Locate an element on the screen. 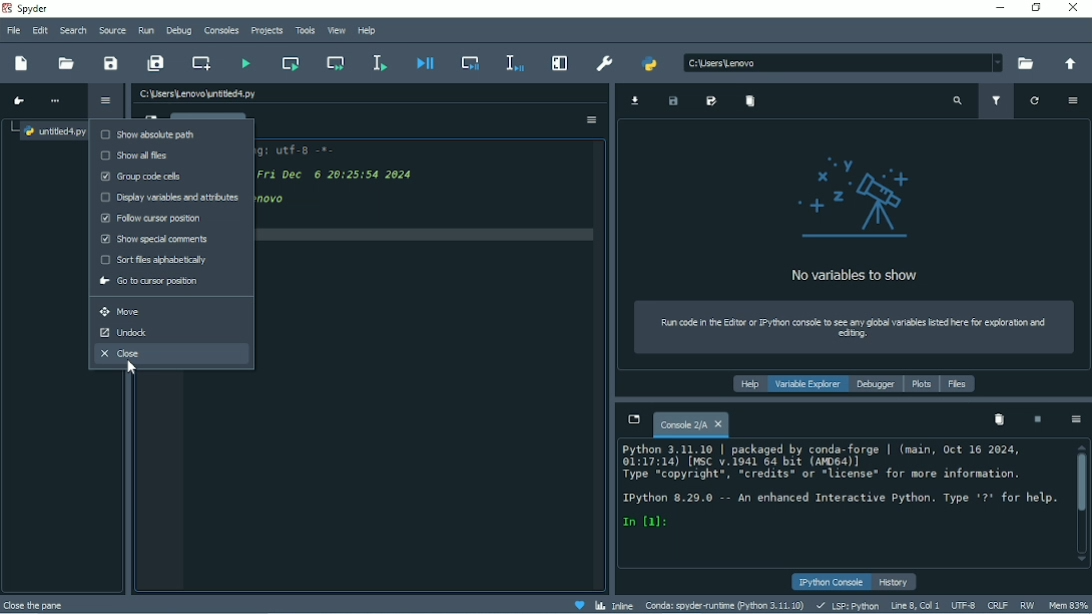 Image resolution: width=1092 pixels, height=614 pixels. Show all files is located at coordinates (139, 156).